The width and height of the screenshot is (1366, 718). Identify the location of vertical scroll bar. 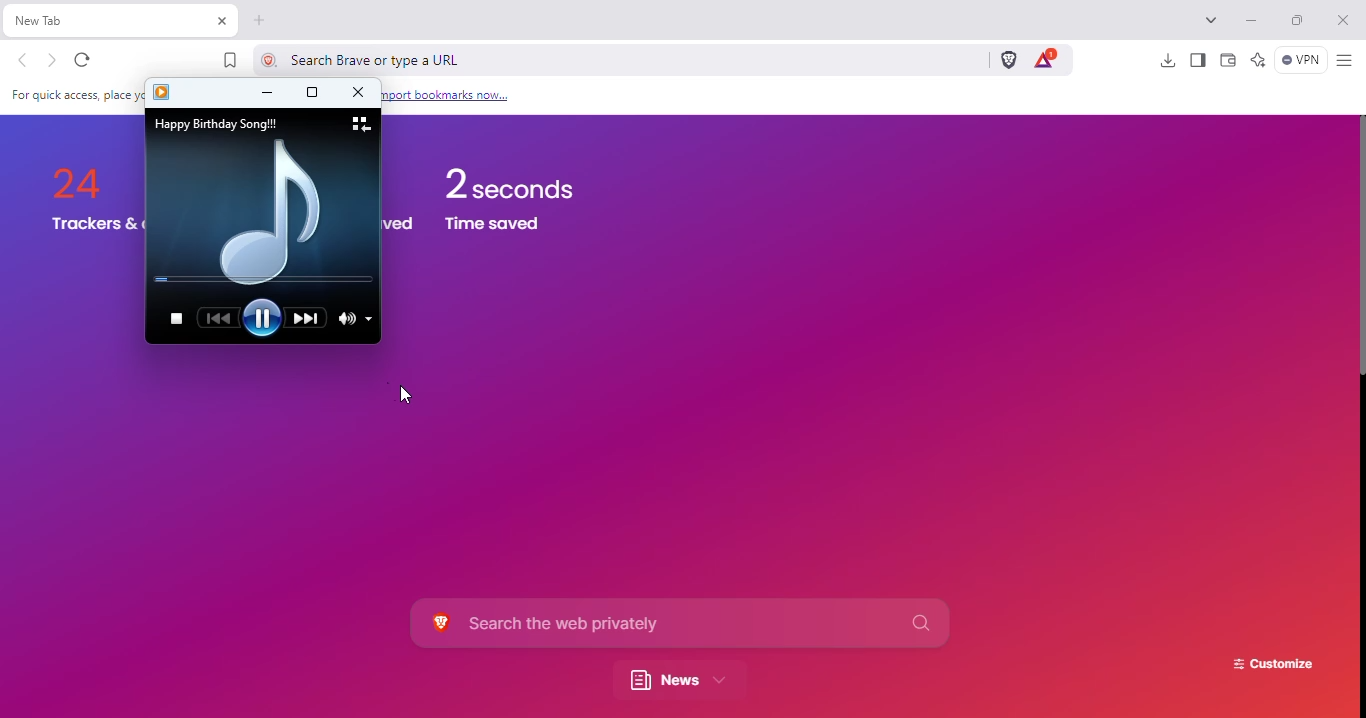
(1363, 249).